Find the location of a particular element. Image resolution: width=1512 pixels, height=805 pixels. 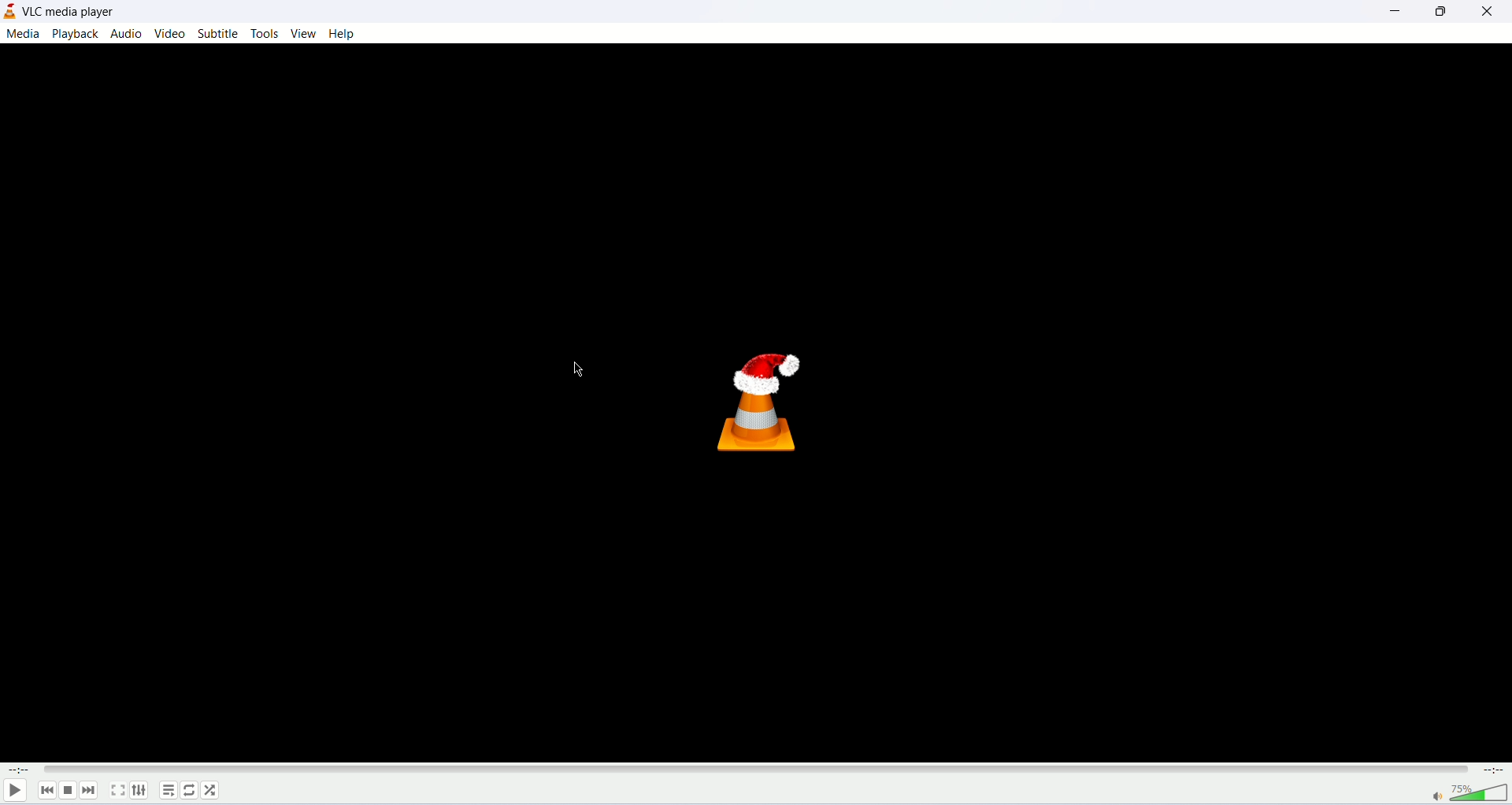

extended settings is located at coordinates (140, 791).